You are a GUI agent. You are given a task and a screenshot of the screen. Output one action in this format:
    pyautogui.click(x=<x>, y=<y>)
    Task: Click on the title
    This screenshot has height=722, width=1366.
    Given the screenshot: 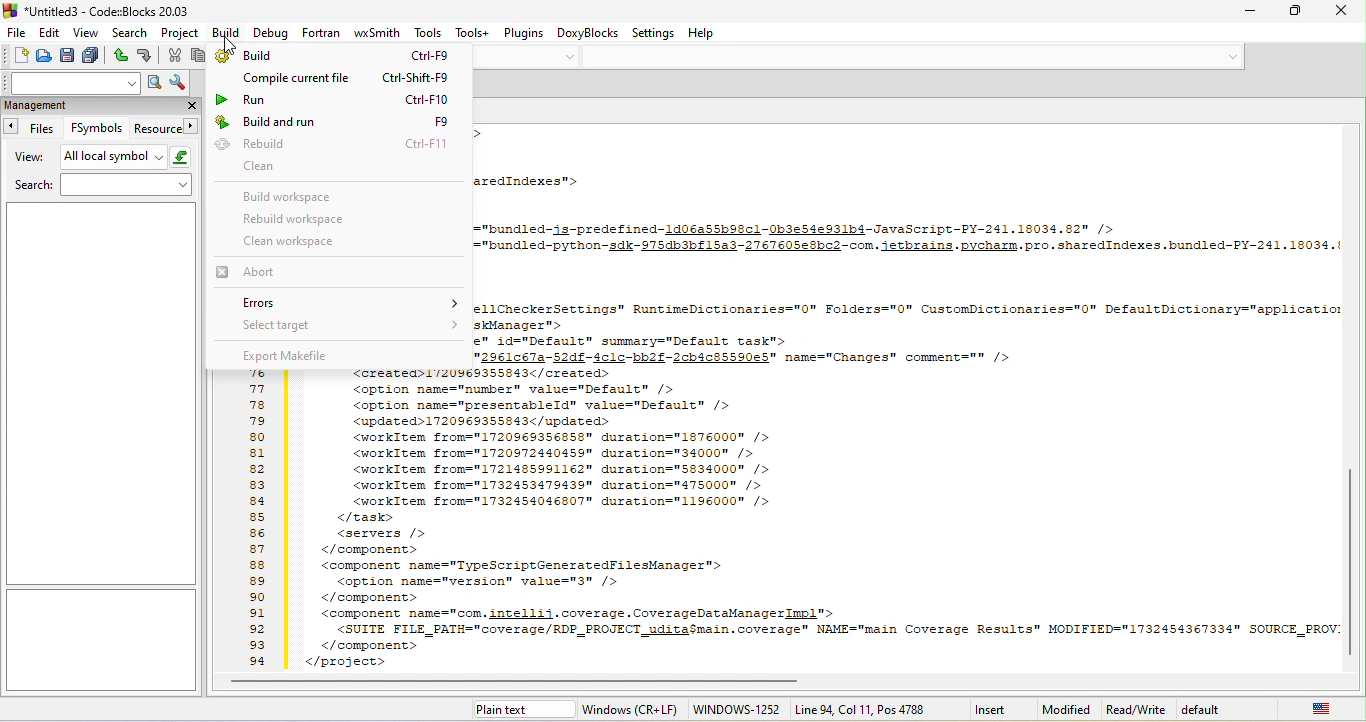 What is the action you would take?
    pyautogui.click(x=98, y=10)
    